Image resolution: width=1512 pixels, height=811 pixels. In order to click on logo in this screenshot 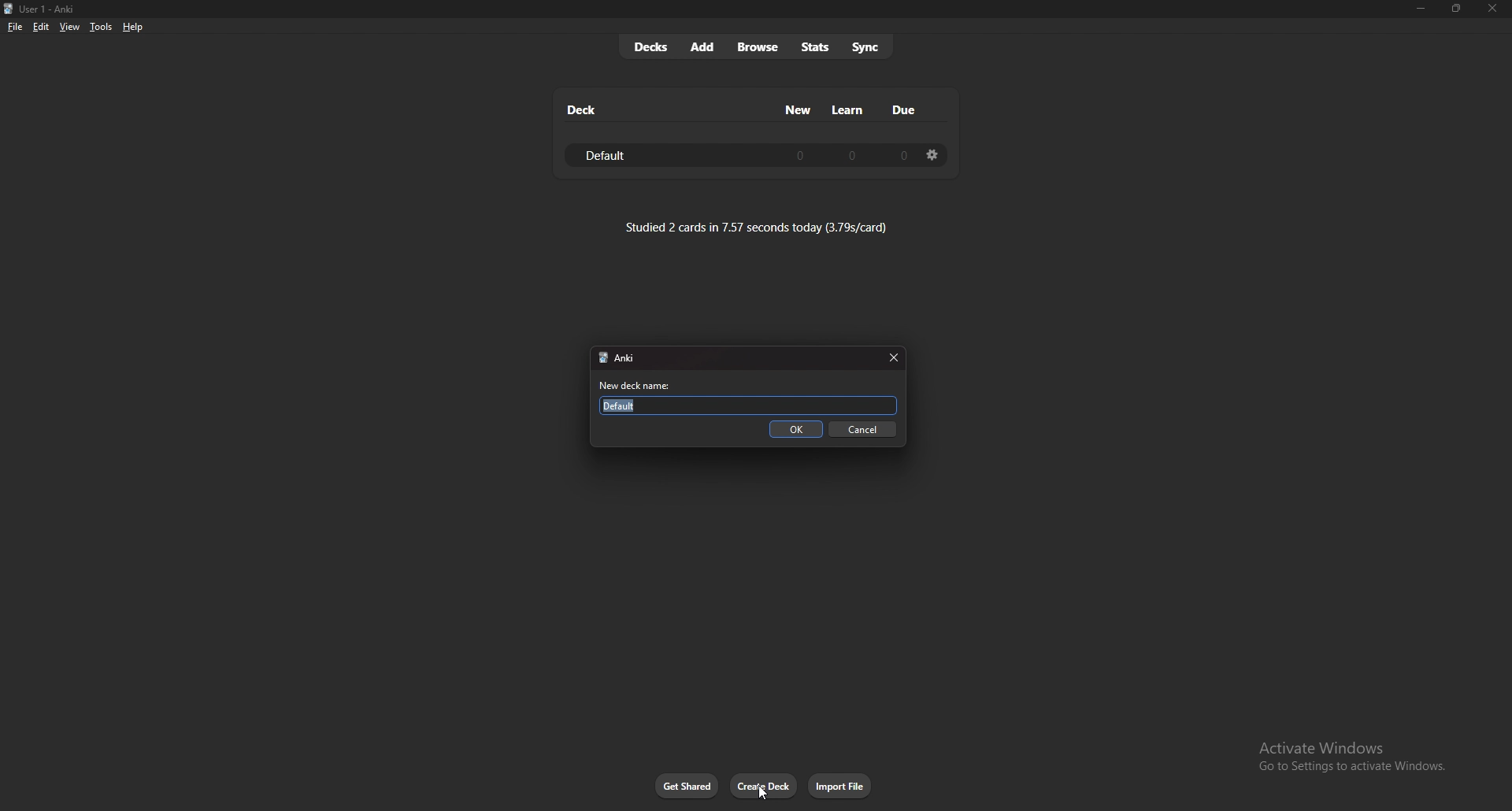, I will do `click(9, 9)`.